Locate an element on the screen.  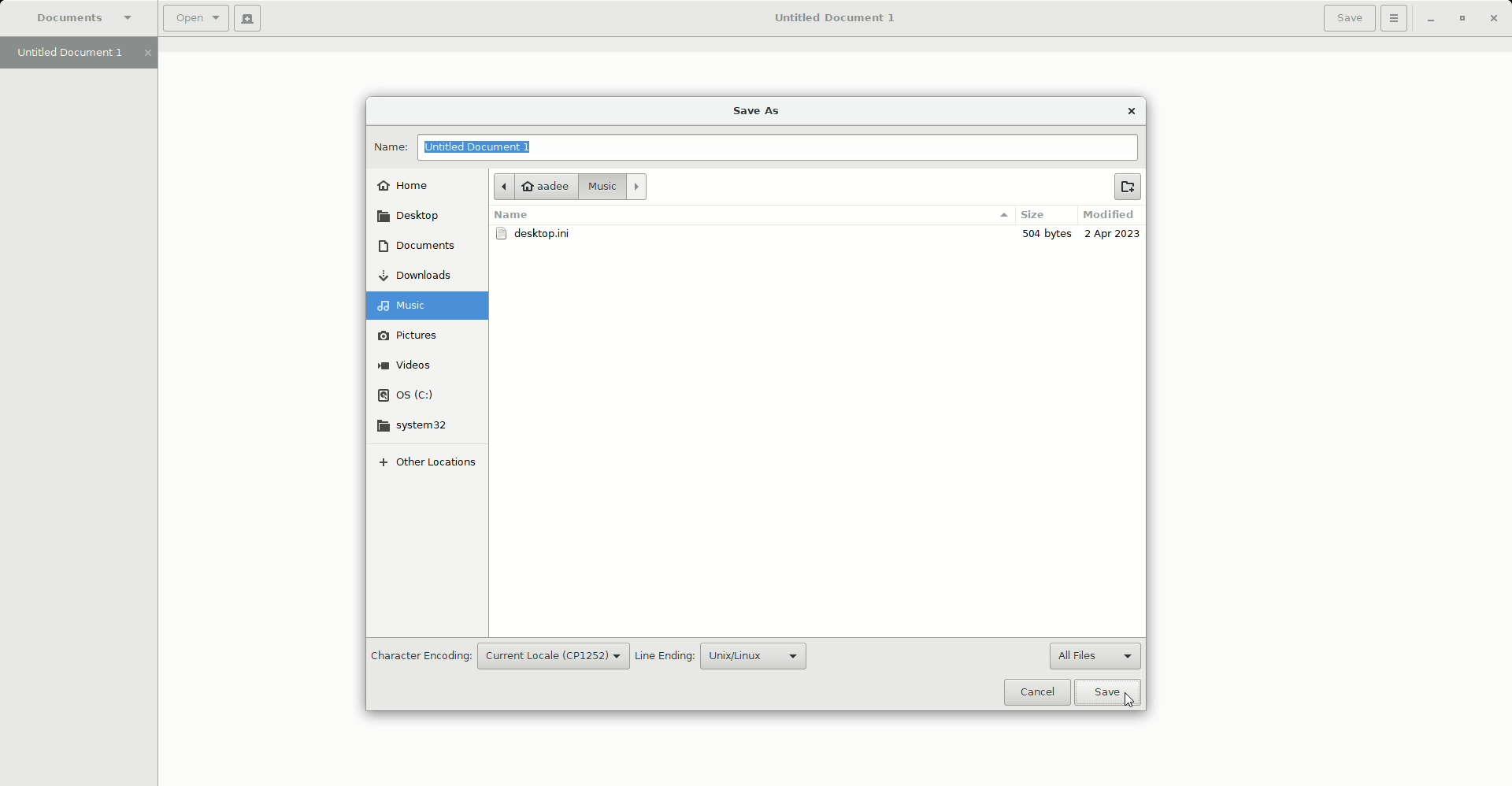
Character Encoding is located at coordinates (421, 657).